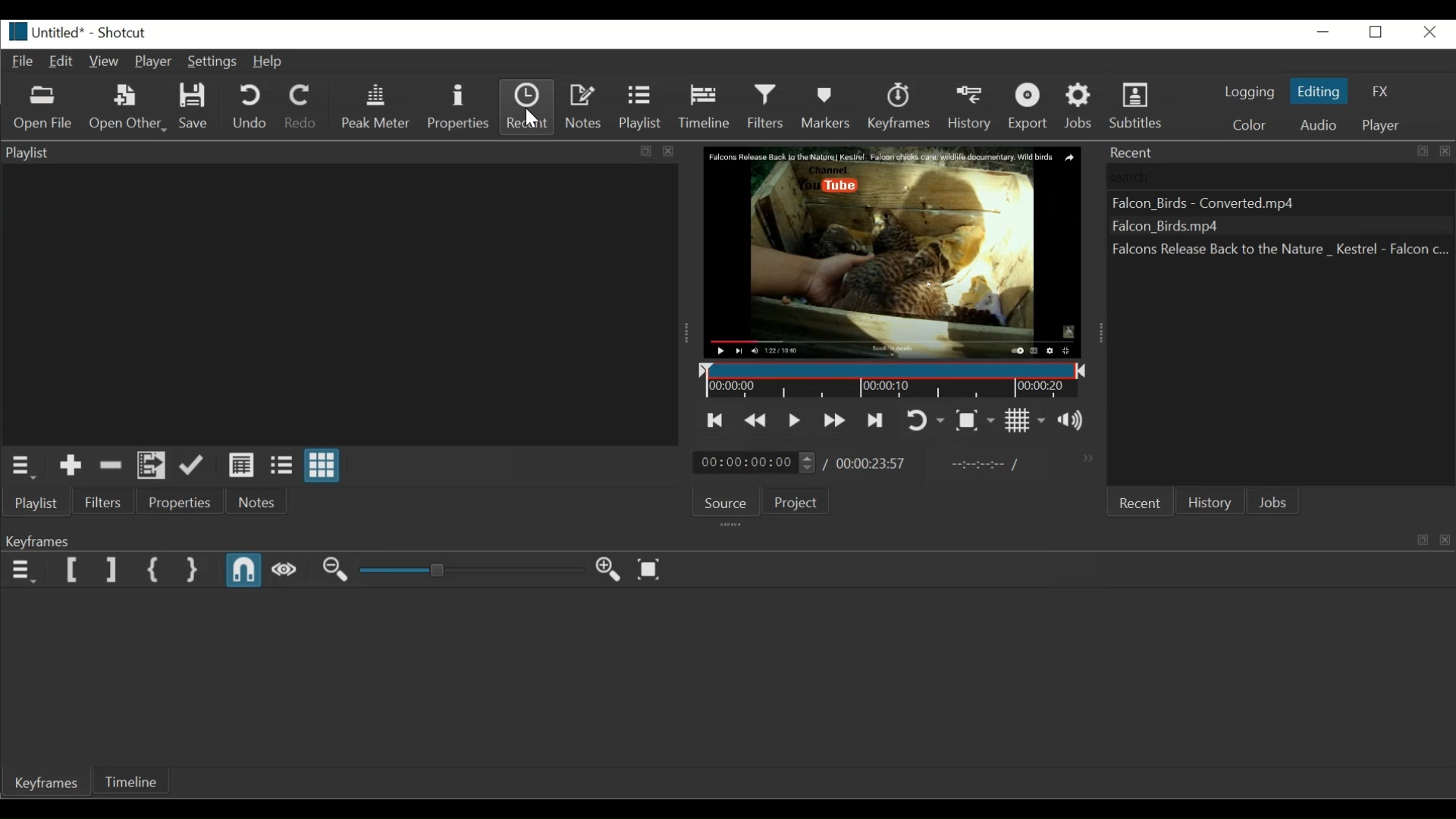 This screenshot has height=819, width=1456. I want to click on Zoom keyframe to fit, so click(652, 570).